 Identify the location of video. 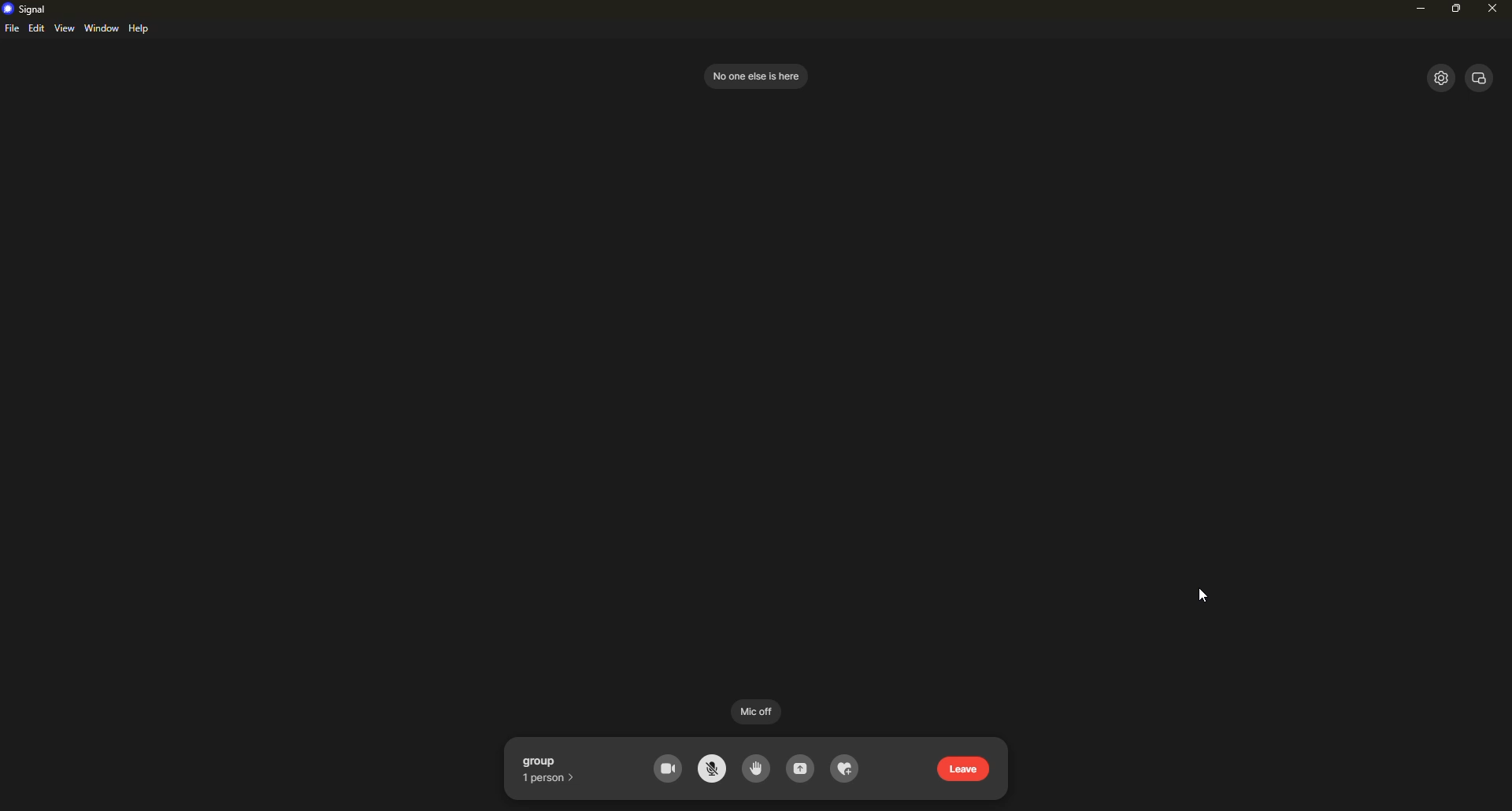
(669, 769).